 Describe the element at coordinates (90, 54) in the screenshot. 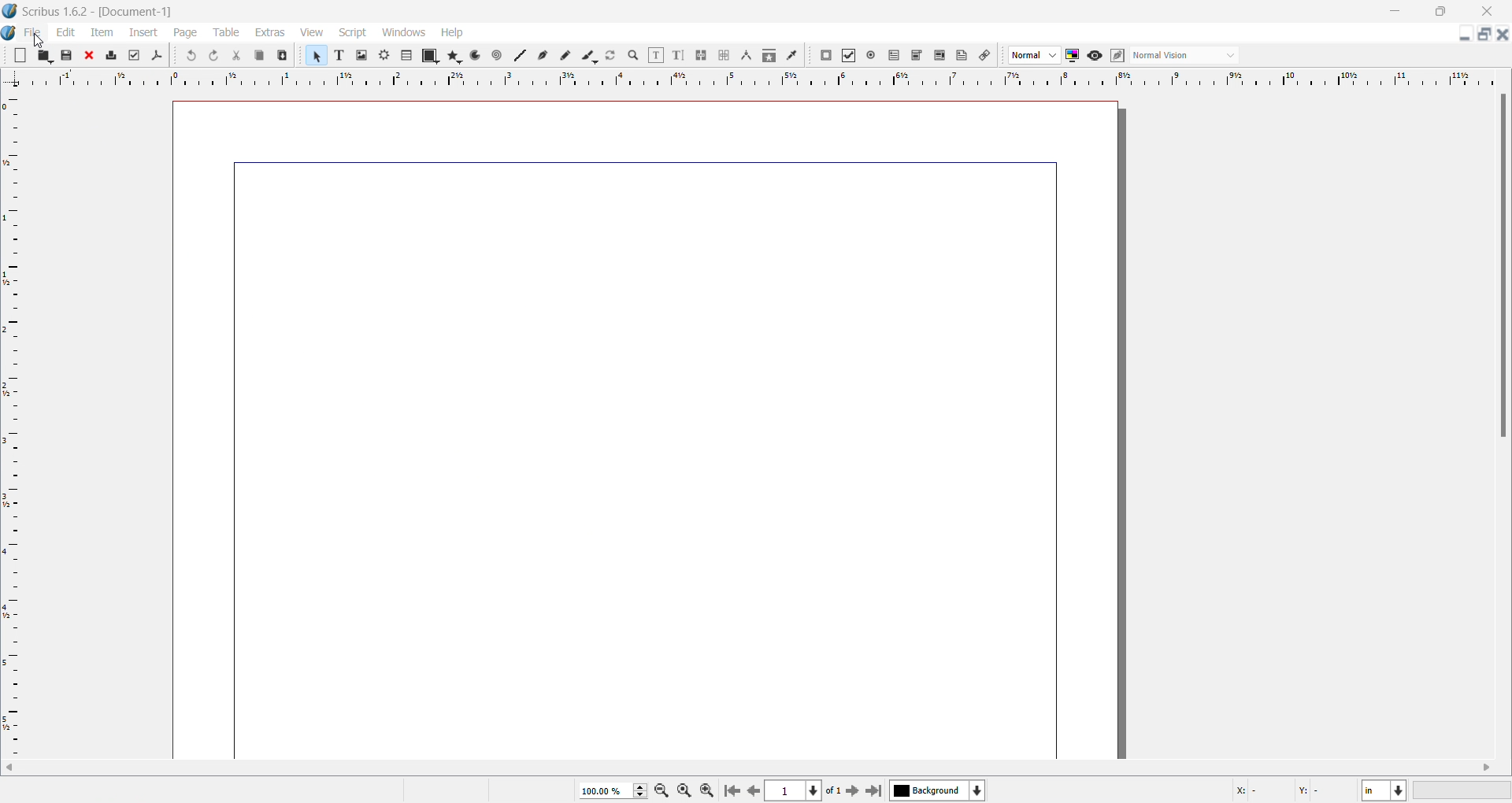

I see `icon` at that location.